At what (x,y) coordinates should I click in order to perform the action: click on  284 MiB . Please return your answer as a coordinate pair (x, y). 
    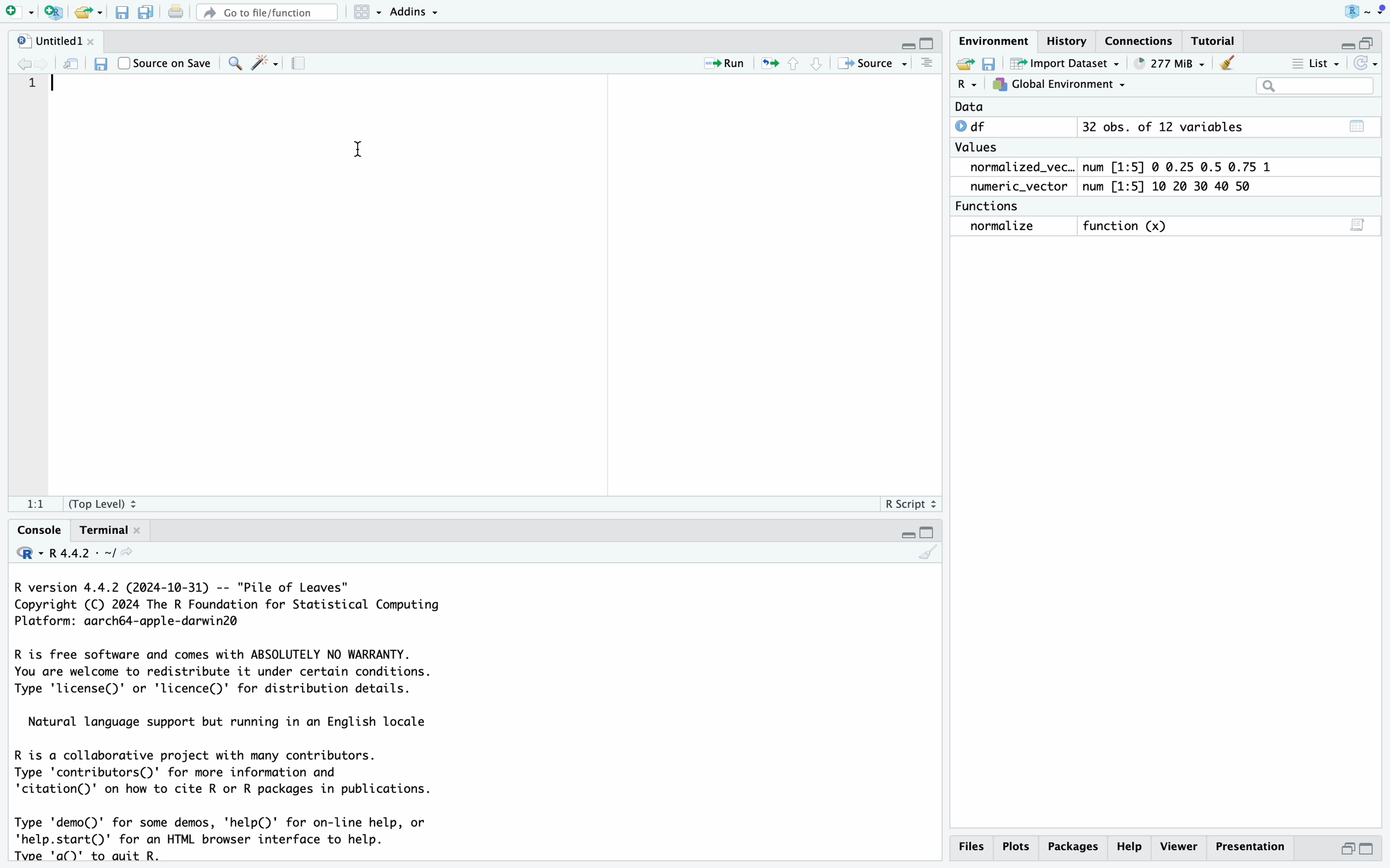
    Looking at the image, I should click on (1166, 64).